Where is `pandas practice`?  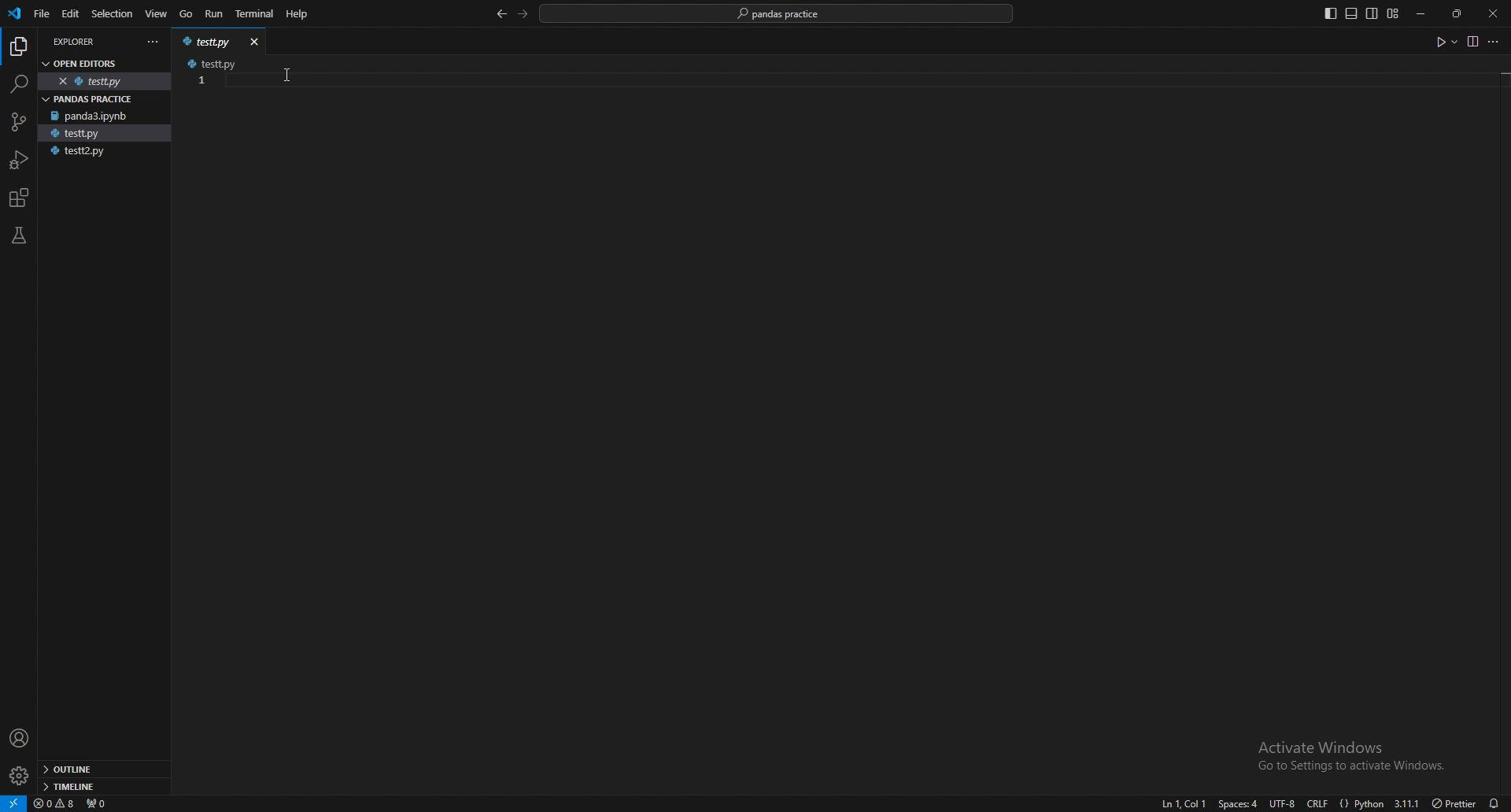
pandas practice is located at coordinates (778, 14).